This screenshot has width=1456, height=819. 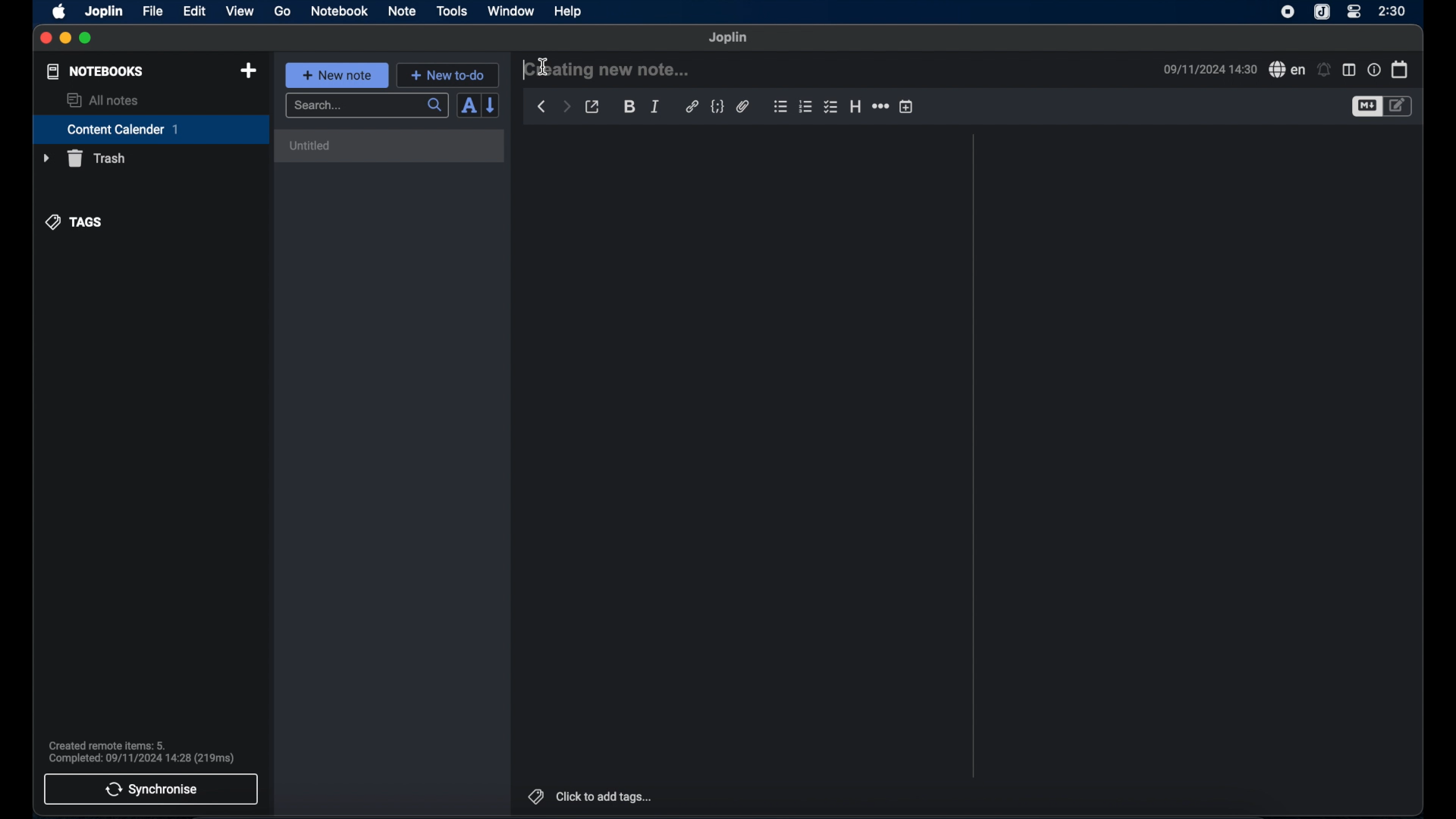 What do you see at coordinates (151, 789) in the screenshot?
I see `synchronise` at bounding box center [151, 789].